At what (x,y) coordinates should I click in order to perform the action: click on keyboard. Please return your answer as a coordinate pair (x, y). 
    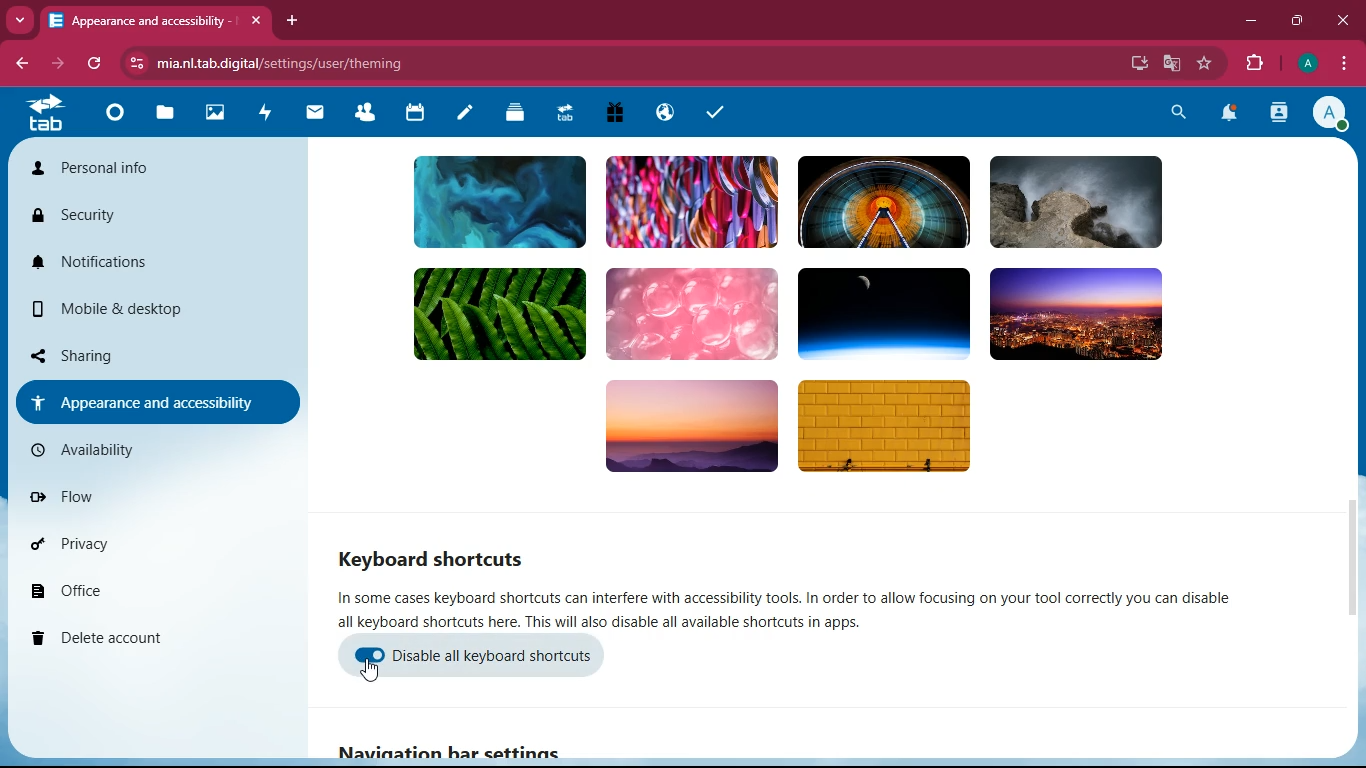
    Looking at the image, I should click on (437, 555).